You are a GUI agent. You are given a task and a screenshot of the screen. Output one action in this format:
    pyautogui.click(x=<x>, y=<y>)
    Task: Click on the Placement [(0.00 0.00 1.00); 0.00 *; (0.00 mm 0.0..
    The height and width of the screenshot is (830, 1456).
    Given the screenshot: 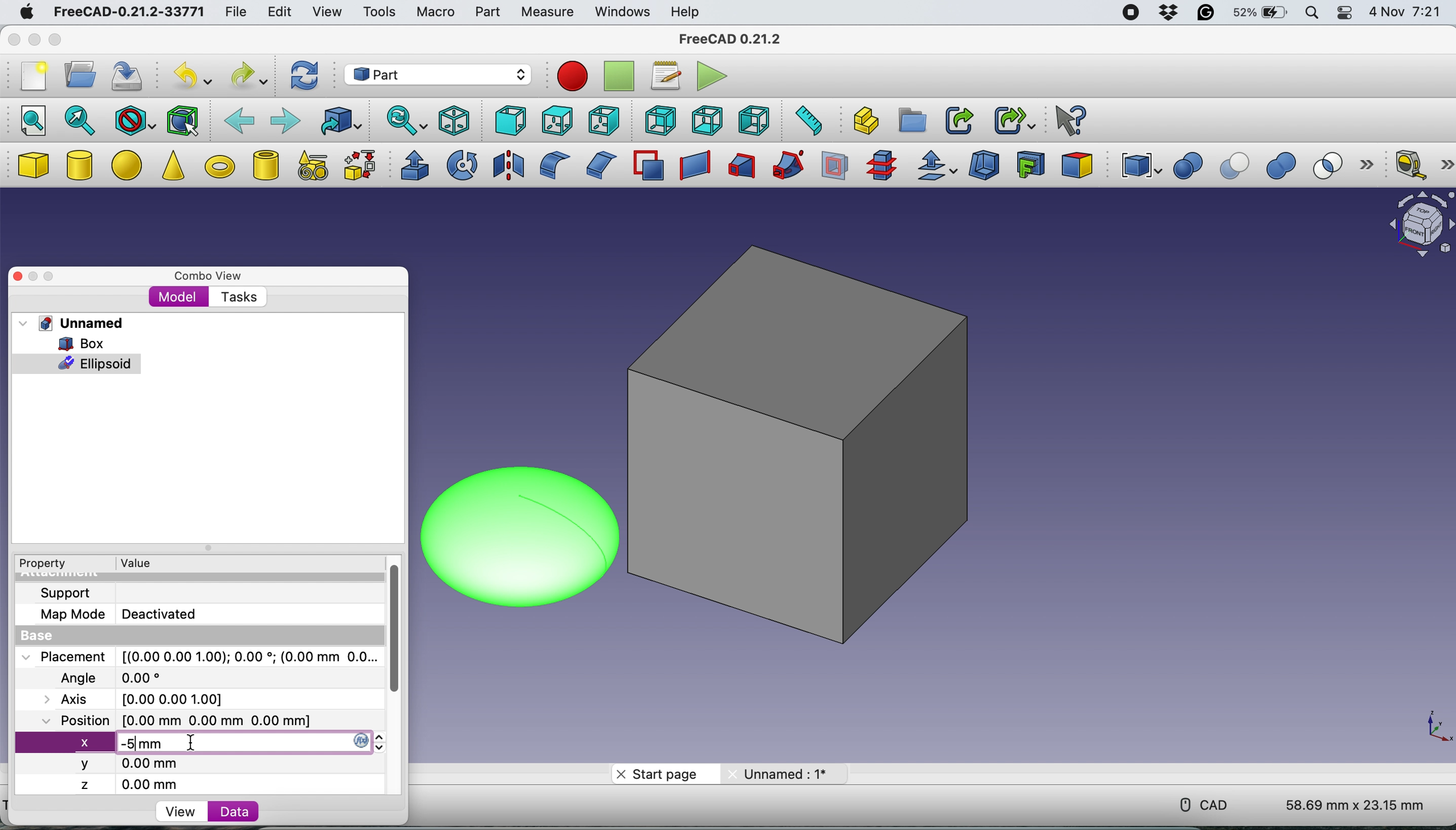 What is the action you would take?
    pyautogui.click(x=197, y=656)
    